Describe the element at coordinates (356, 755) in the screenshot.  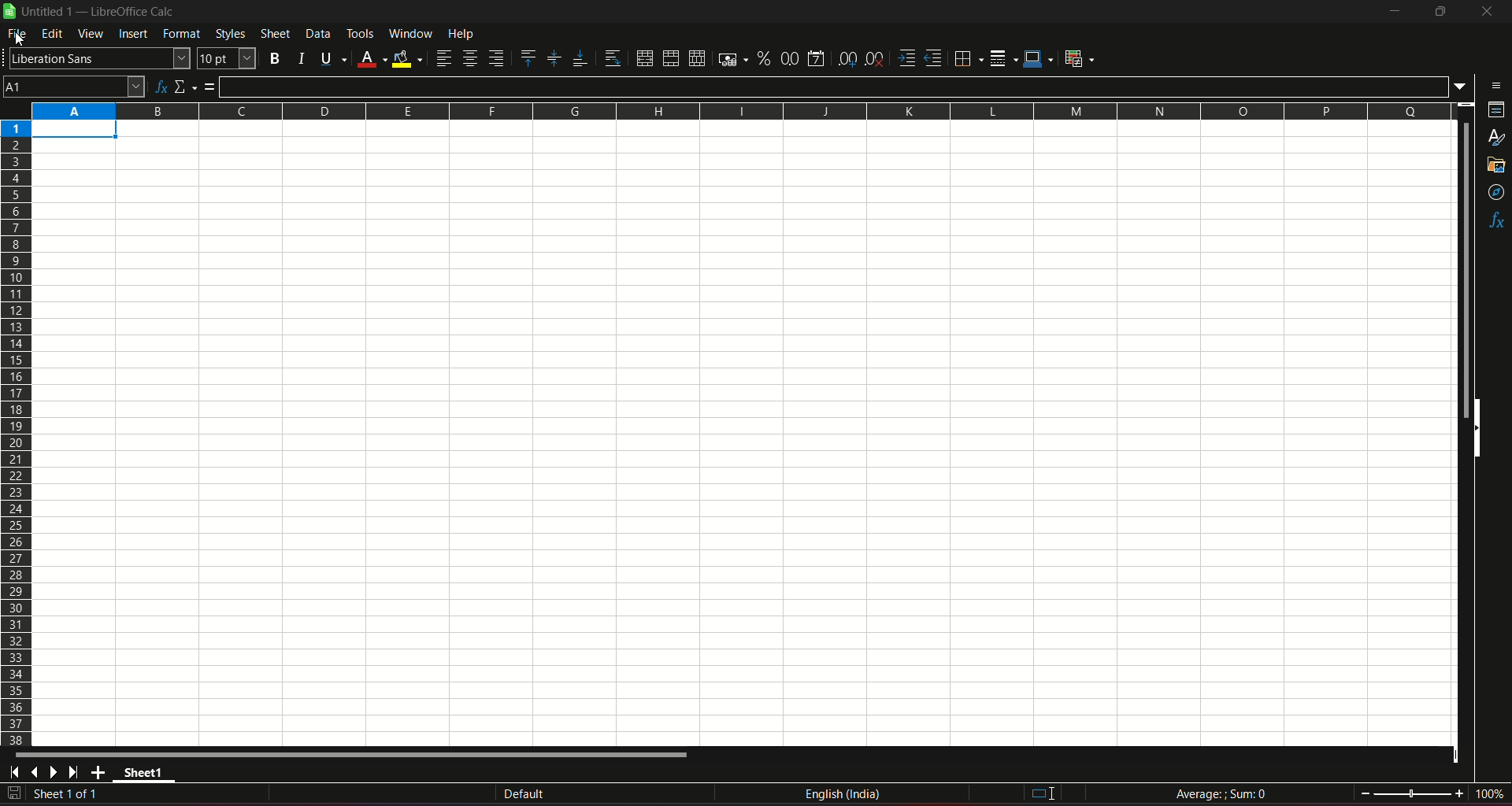
I see `horizontal scroll bar` at that location.